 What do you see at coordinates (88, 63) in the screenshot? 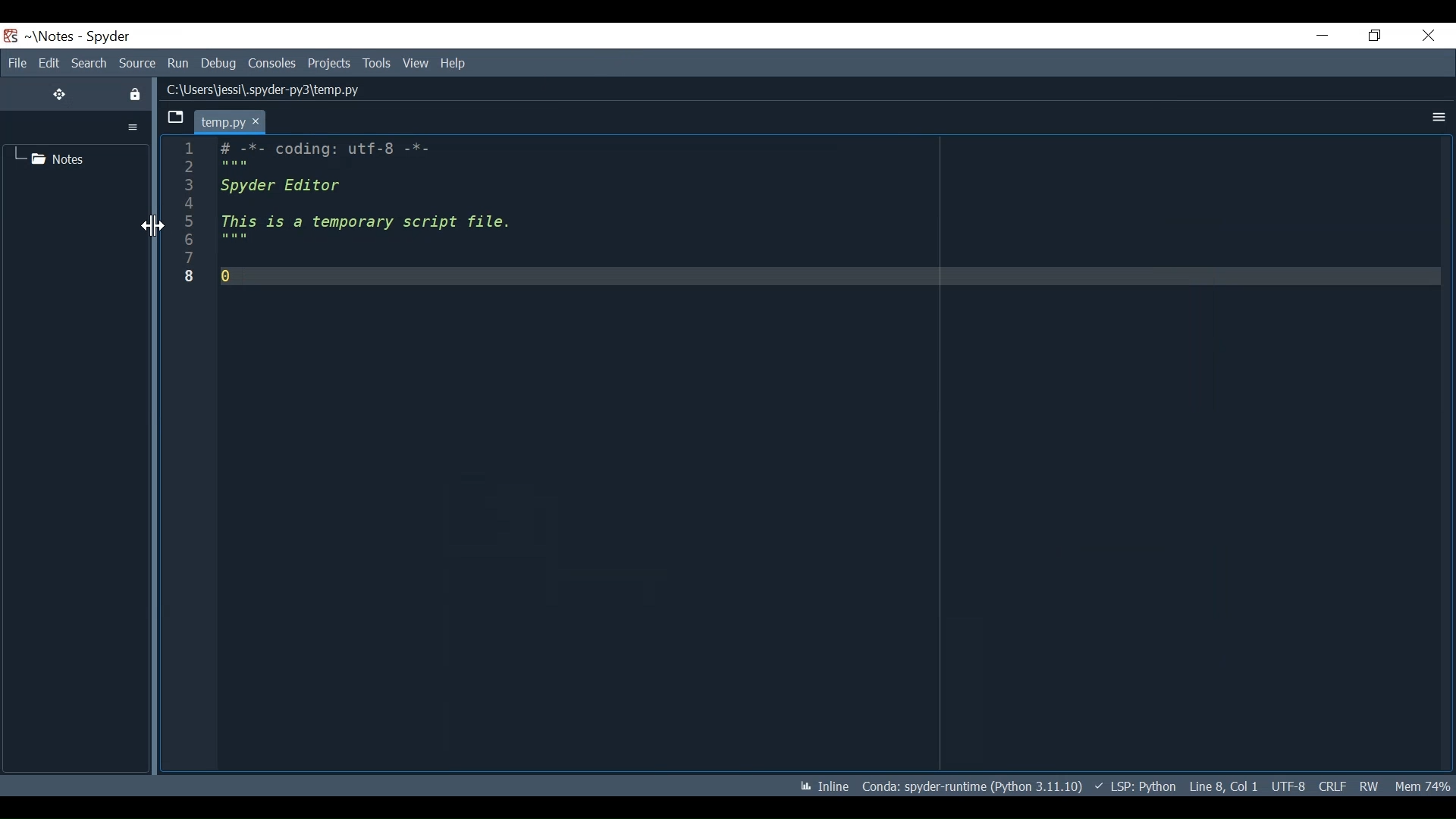
I see `Search` at bounding box center [88, 63].